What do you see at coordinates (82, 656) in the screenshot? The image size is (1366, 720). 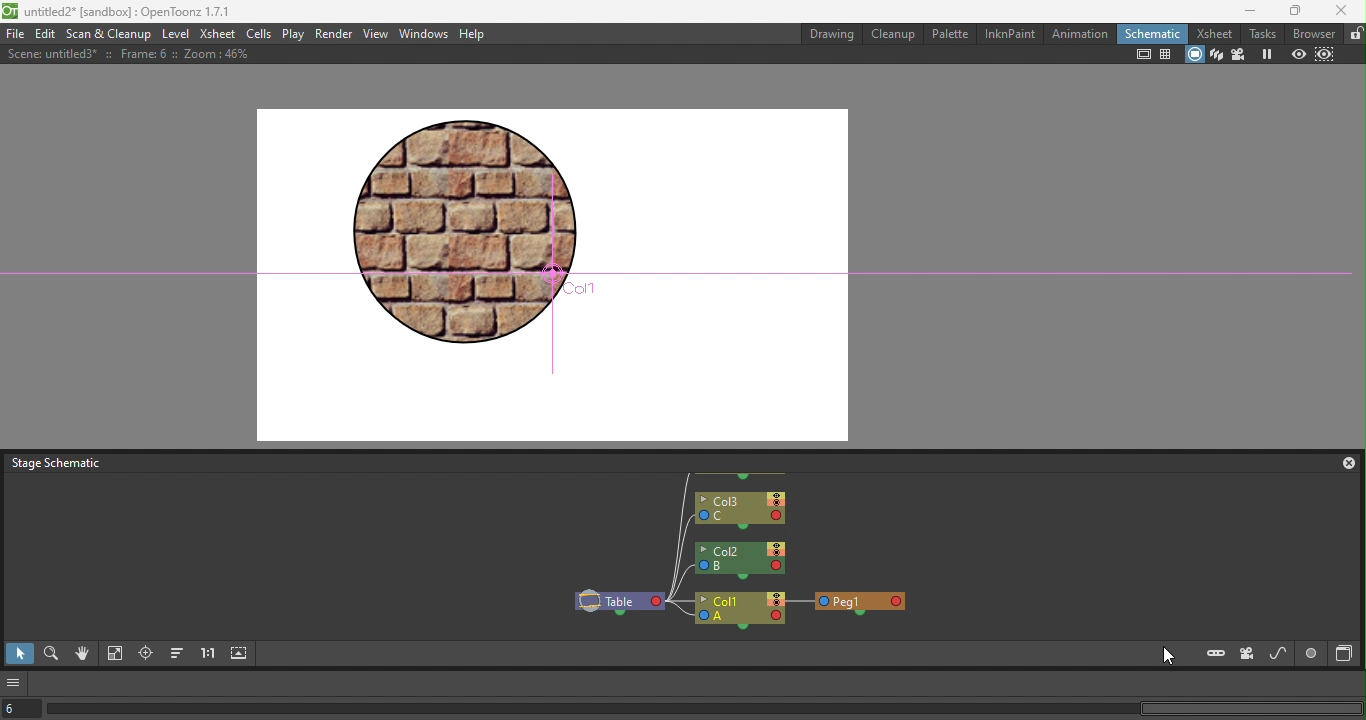 I see `Hand mode` at bounding box center [82, 656].